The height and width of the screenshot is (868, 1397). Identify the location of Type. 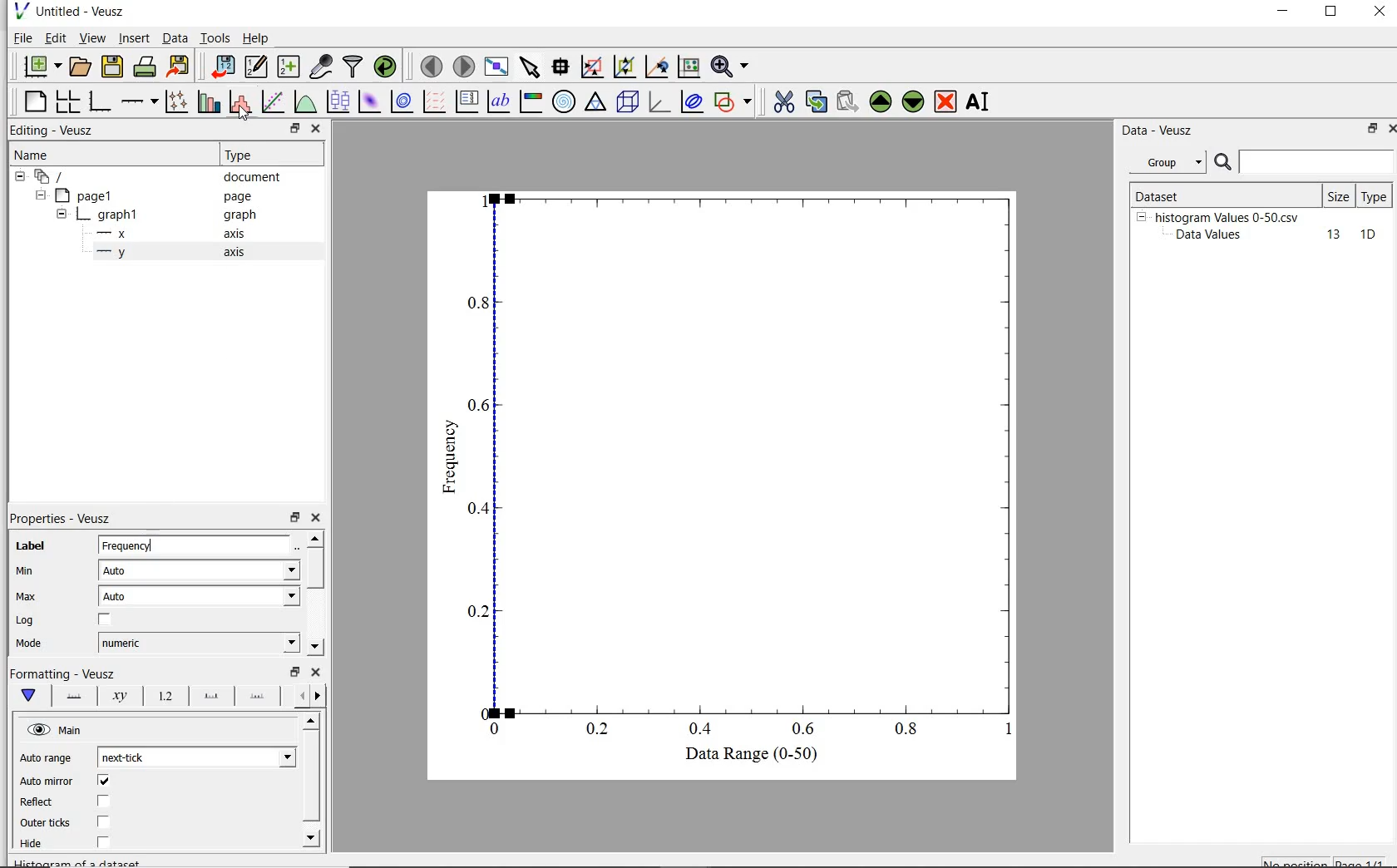
(268, 155).